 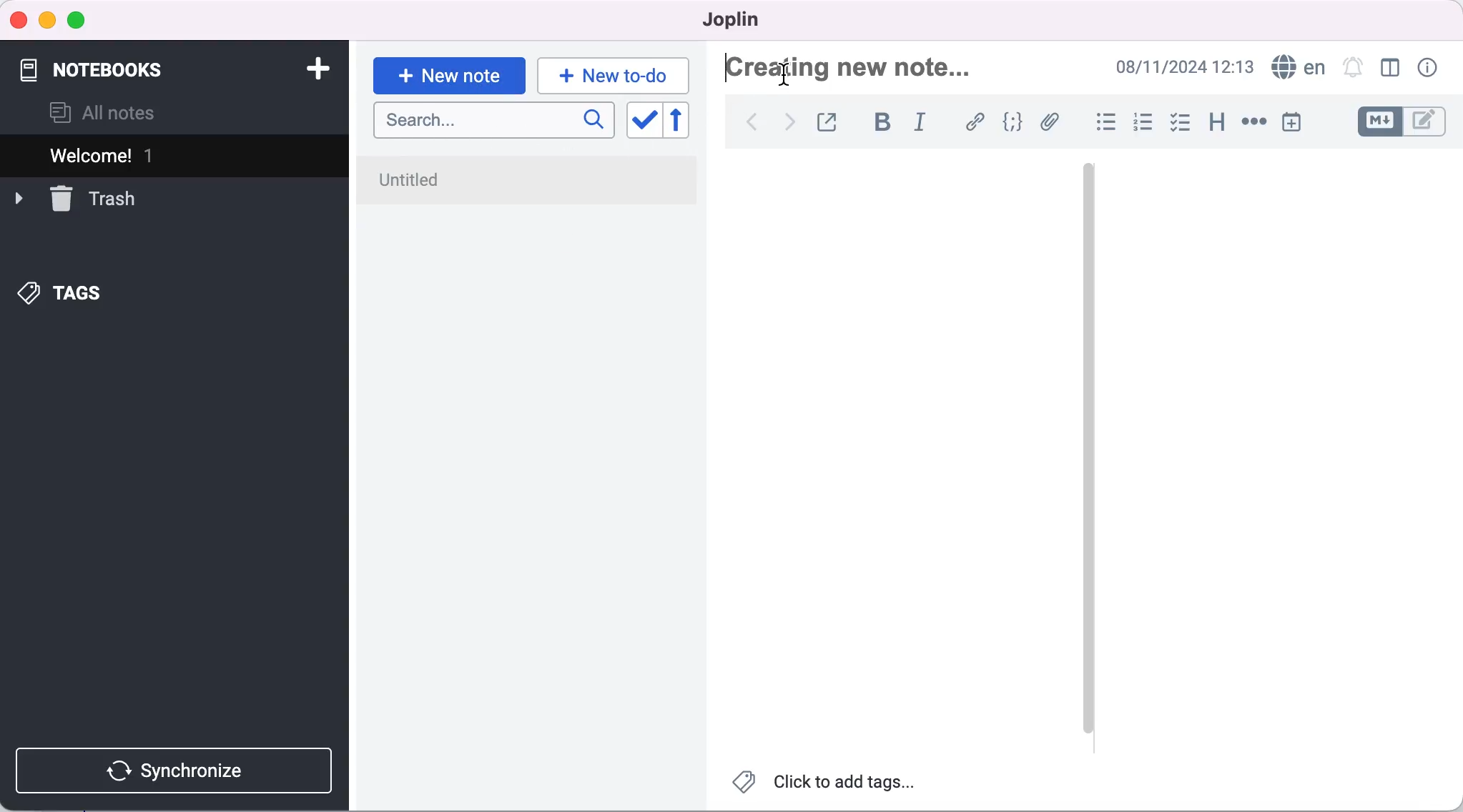 I want to click on close, so click(x=19, y=19).